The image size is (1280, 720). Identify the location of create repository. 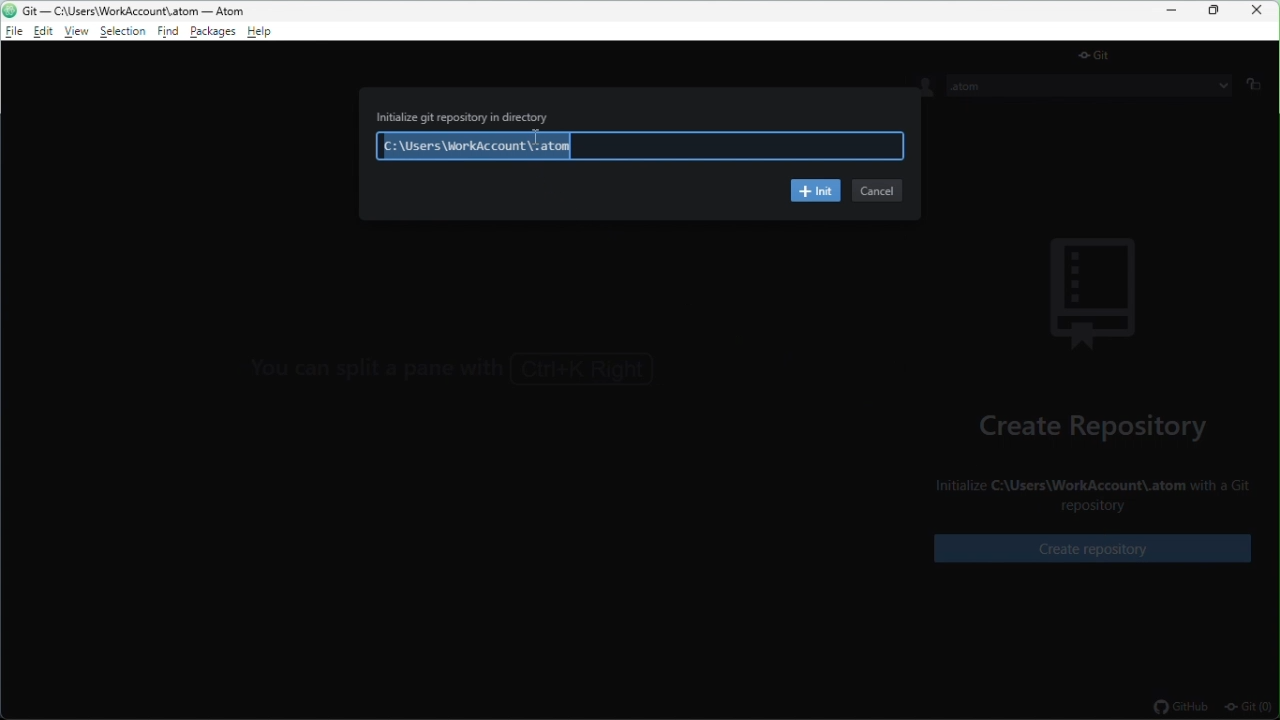
(1092, 548).